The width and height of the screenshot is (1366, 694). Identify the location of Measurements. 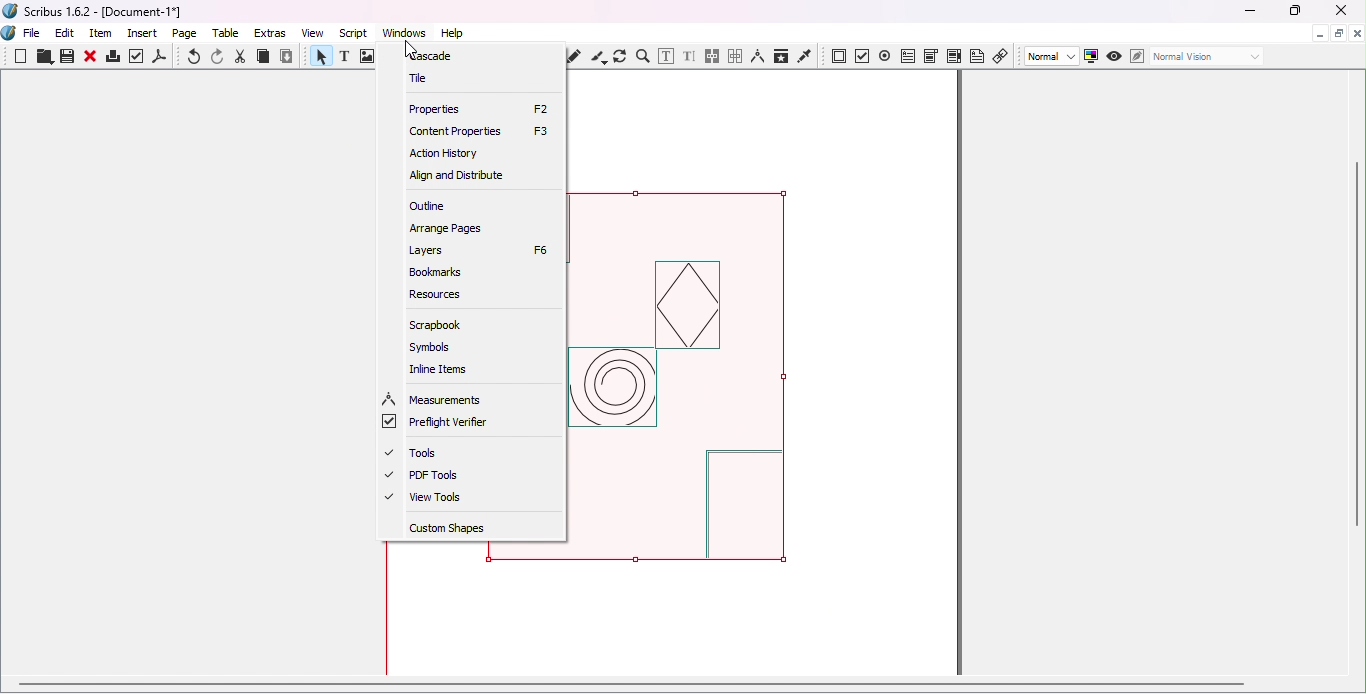
(757, 56).